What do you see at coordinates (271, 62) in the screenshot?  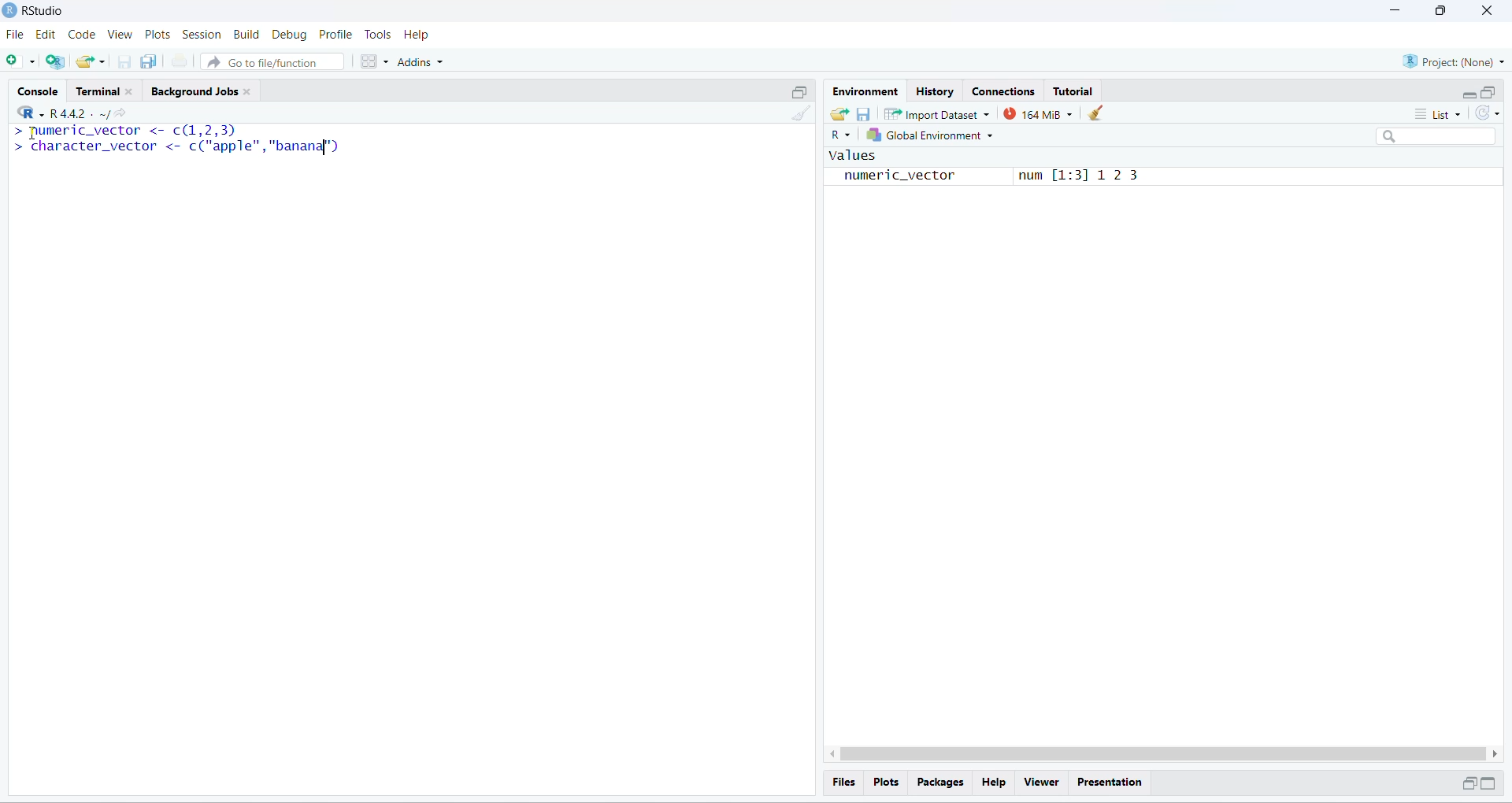 I see `Go to file/function` at bounding box center [271, 62].